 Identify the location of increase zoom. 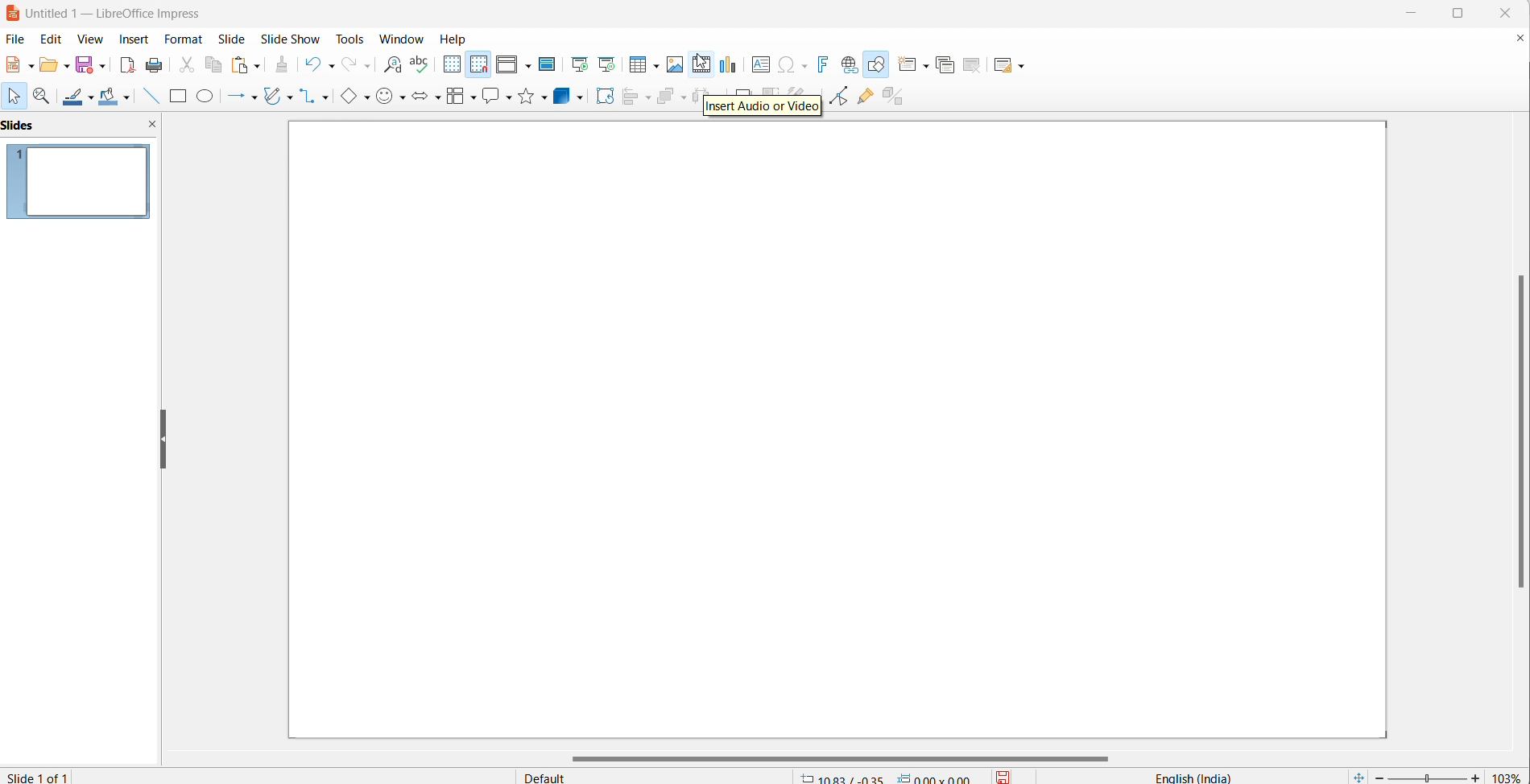
(1475, 776).